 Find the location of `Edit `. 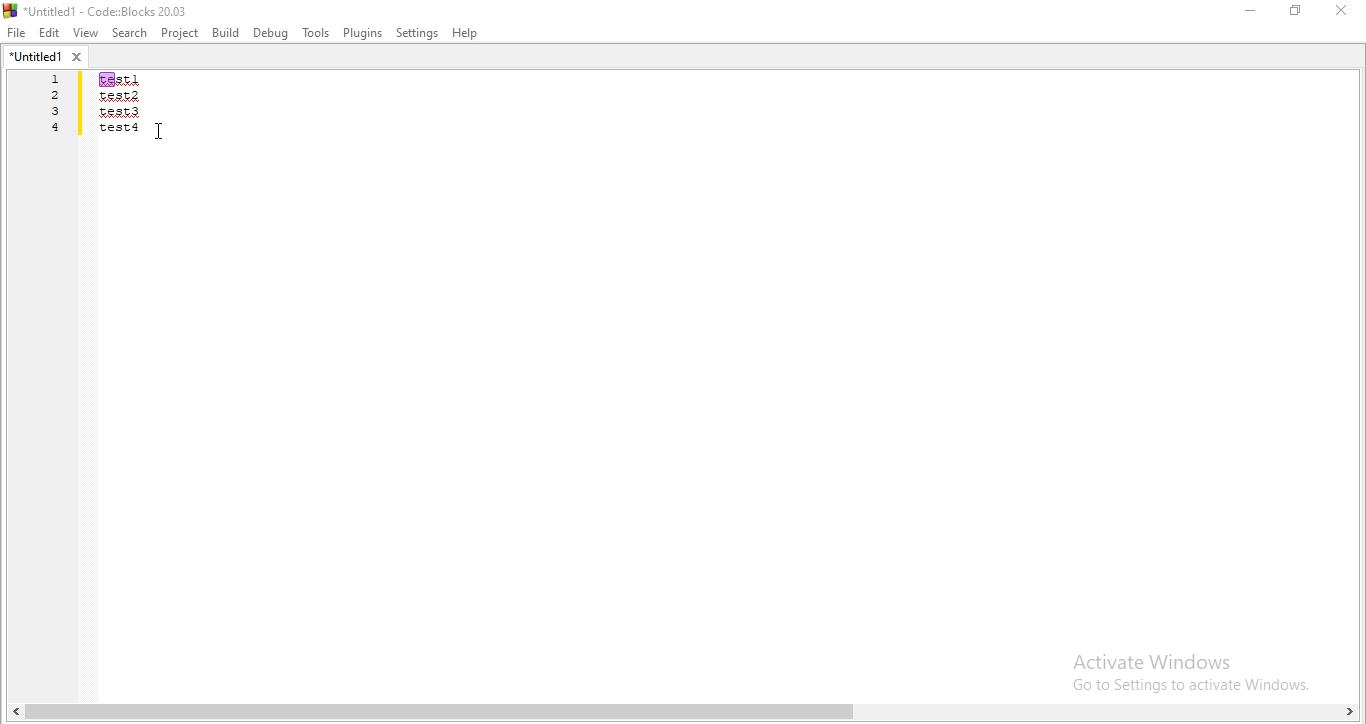

Edit  is located at coordinates (50, 33).